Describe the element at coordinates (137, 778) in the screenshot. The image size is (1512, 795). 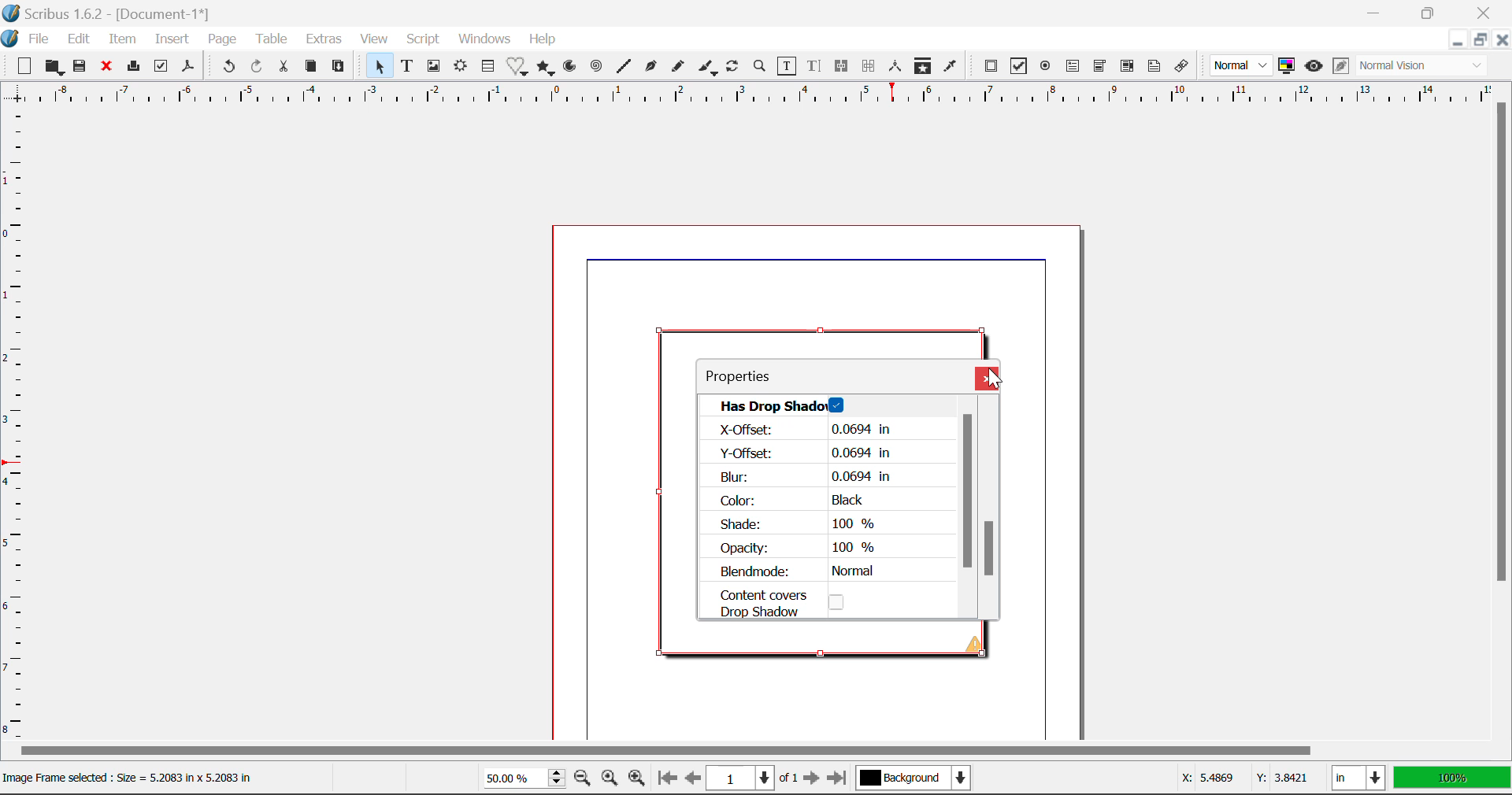
I see `Image Frame selected : Size = 5.2083 in x 5.2083 in` at that location.